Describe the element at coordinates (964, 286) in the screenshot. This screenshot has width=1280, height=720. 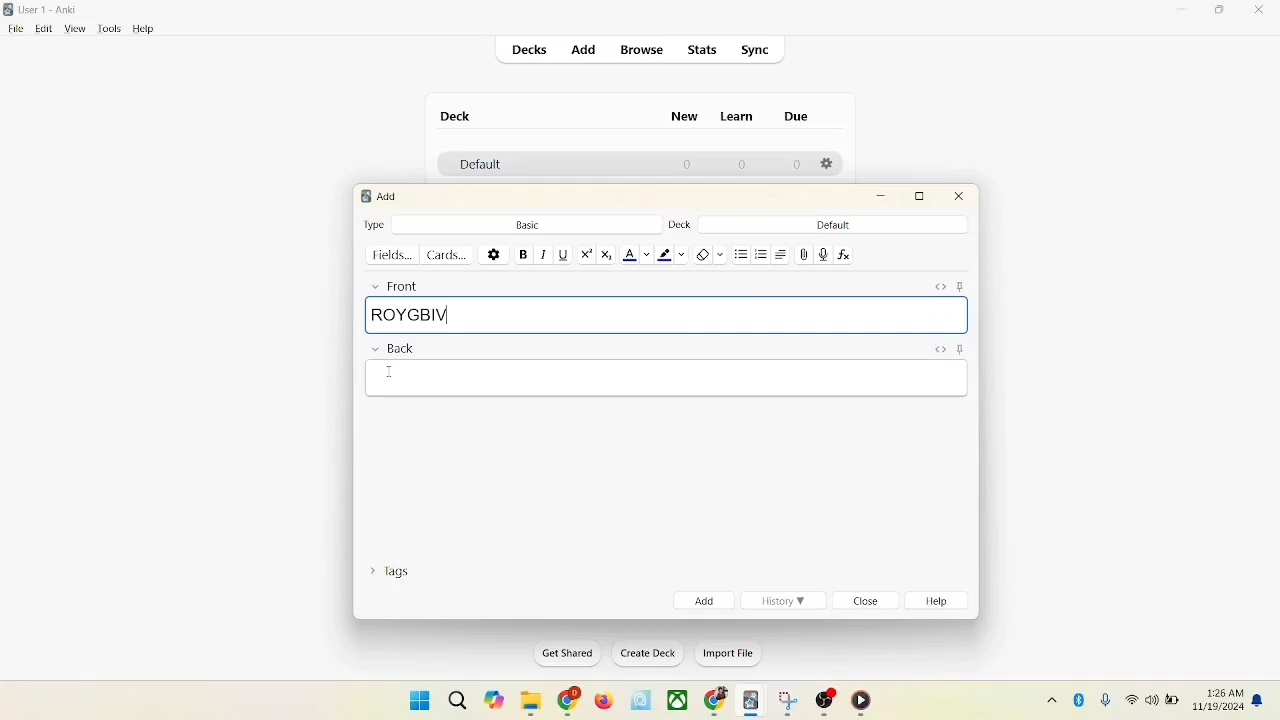
I see `sticky` at that location.